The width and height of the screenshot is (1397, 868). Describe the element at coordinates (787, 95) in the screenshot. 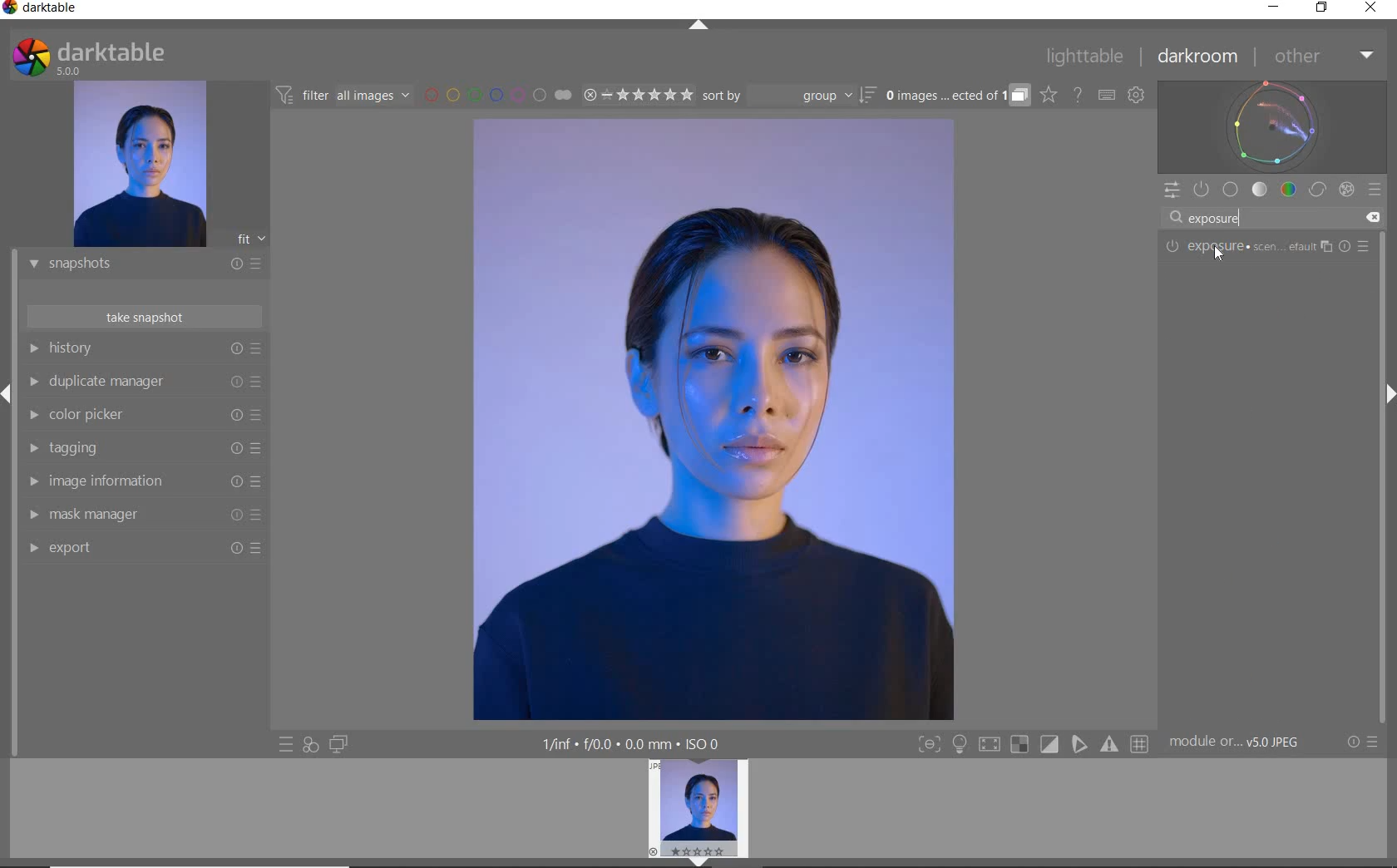

I see `SORT` at that location.